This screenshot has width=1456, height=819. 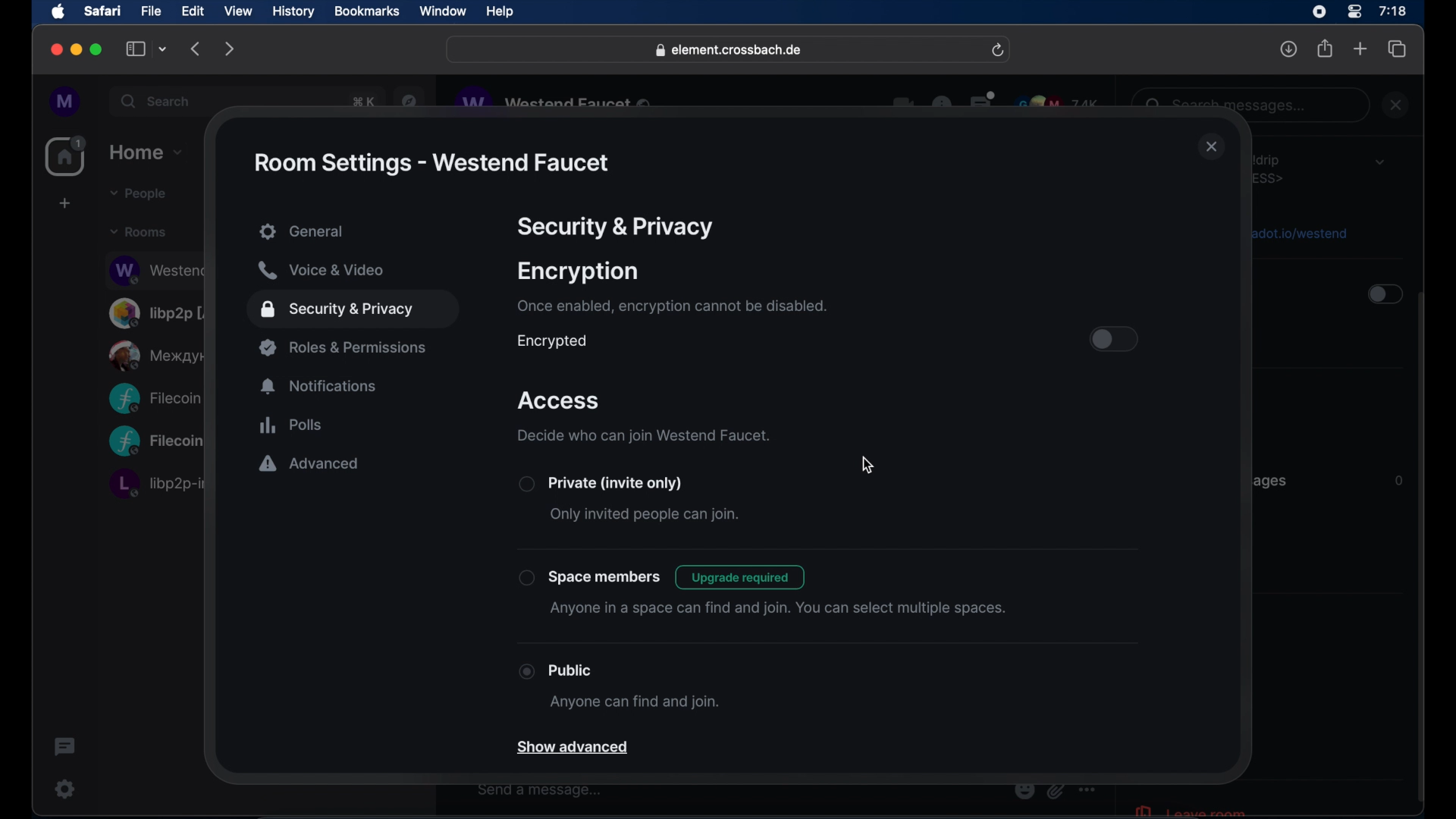 What do you see at coordinates (293, 12) in the screenshot?
I see `history` at bounding box center [293, 12].